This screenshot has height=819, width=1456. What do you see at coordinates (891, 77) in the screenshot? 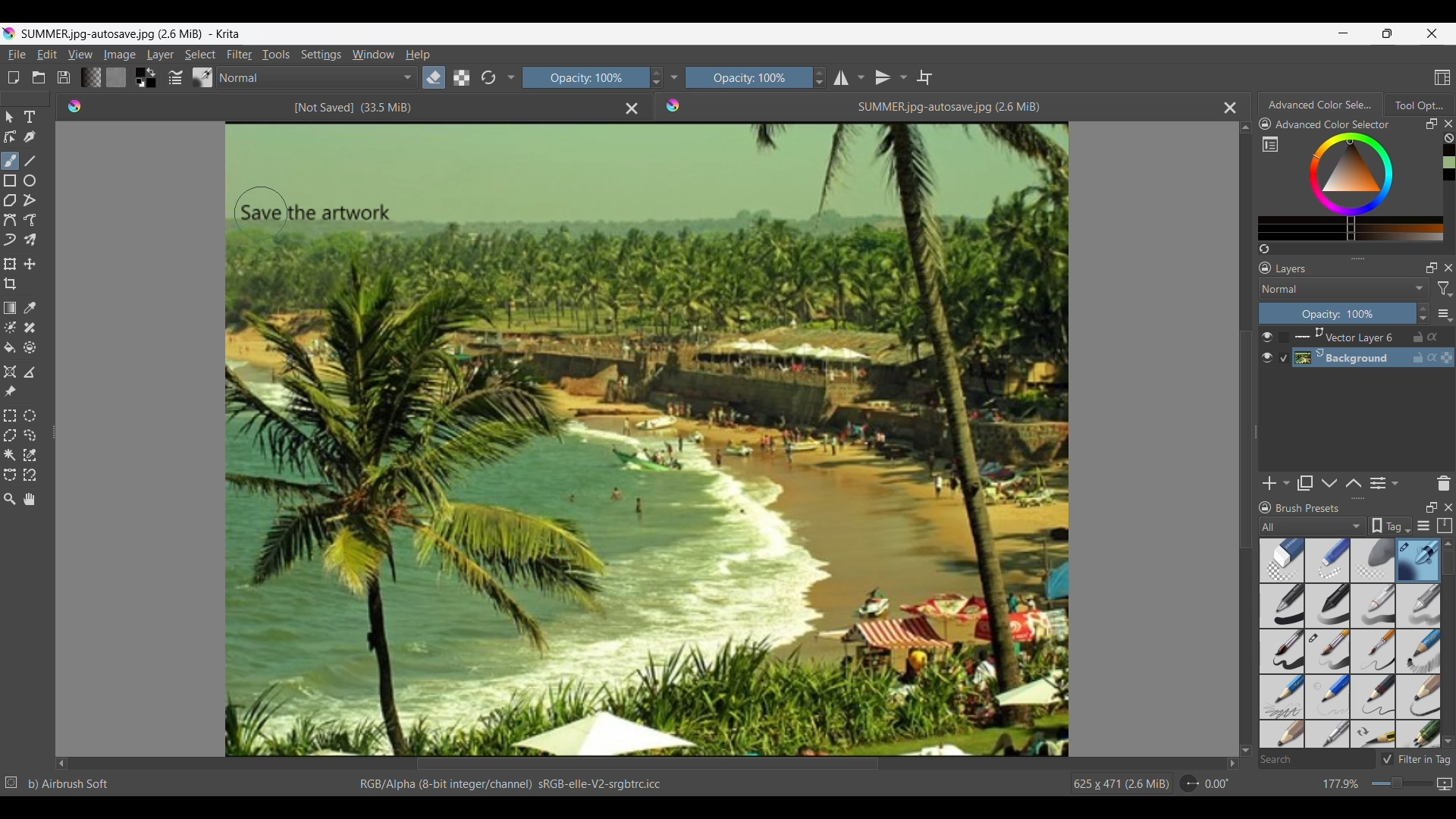
I see `Vertical mirror tool options` at bounding box center [891, 77].